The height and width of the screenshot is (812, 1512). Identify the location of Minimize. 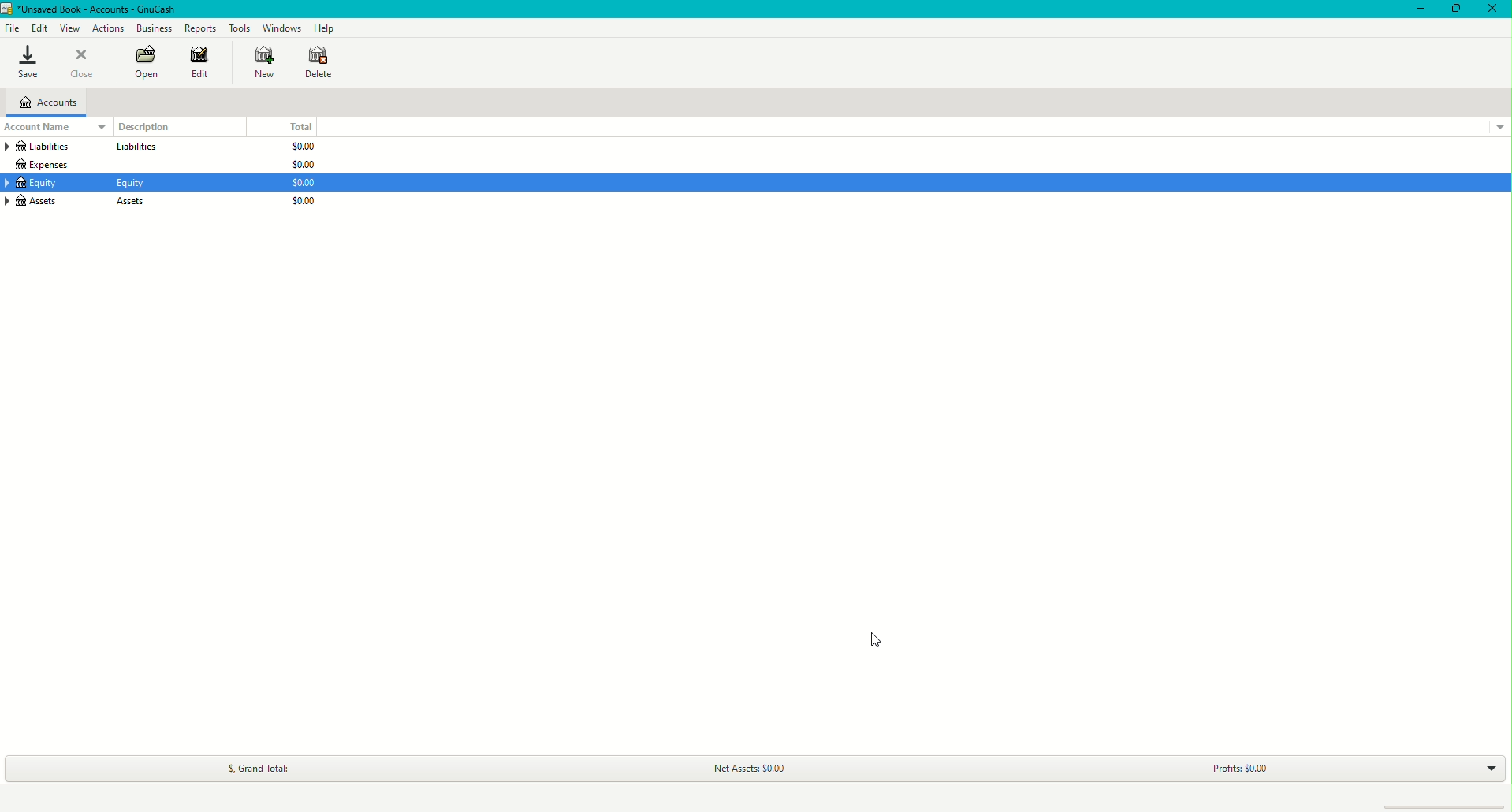
(1417, 9).